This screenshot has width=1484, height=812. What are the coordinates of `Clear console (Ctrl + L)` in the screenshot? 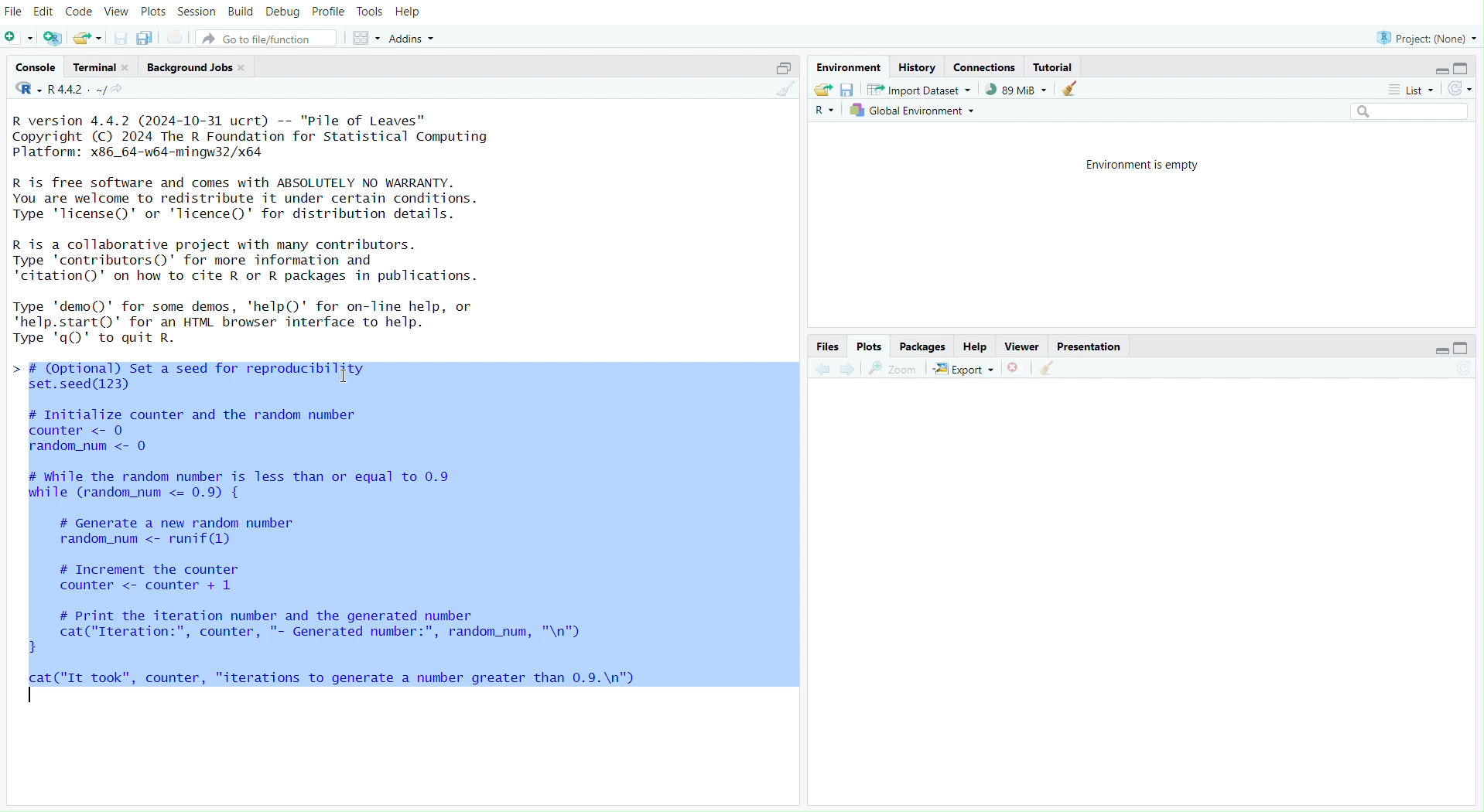 It's located at (1072, 87).